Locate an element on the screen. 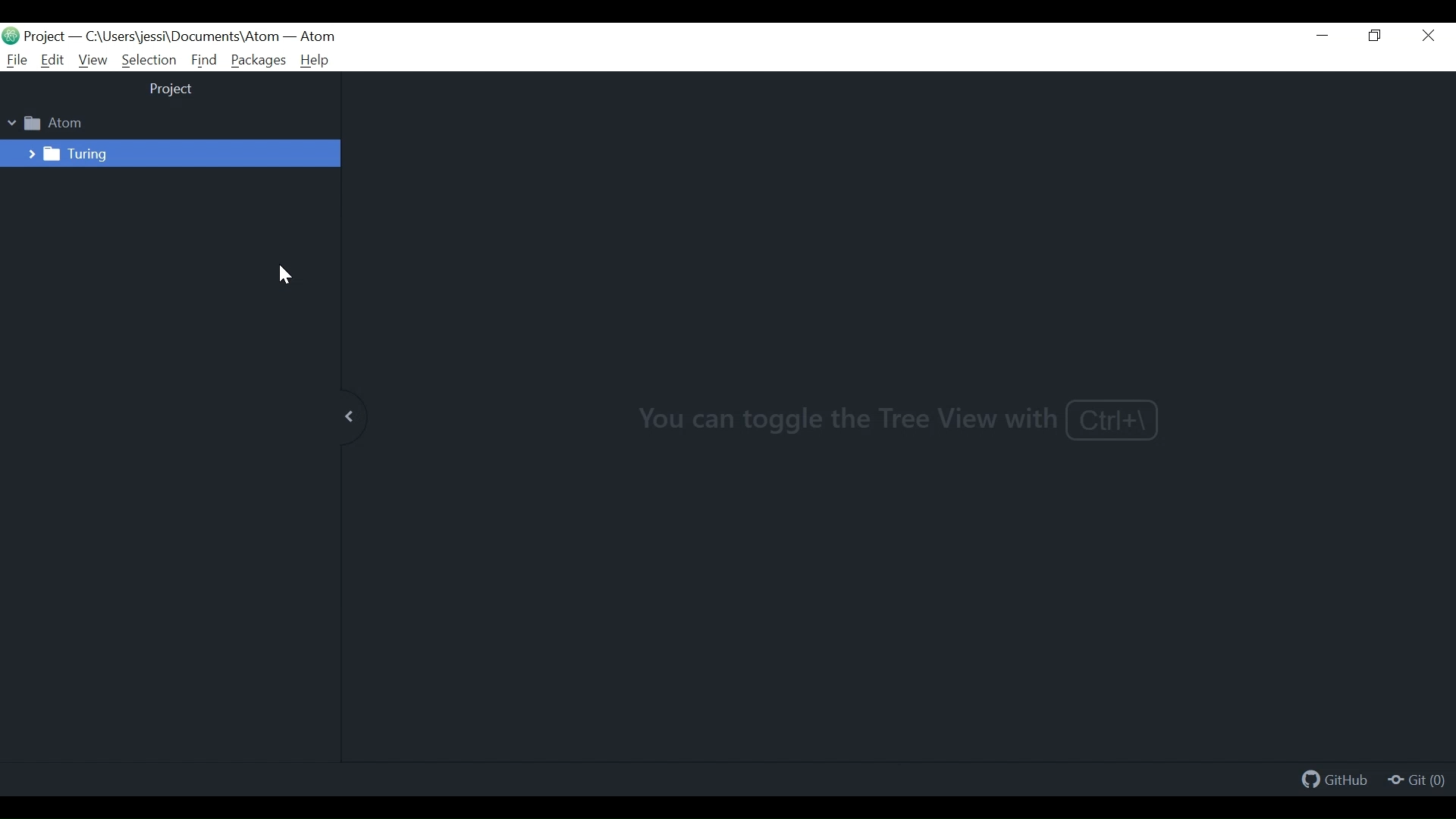 This screenshot has height=819, width=1456. Help is located at coordinates (315, 61).